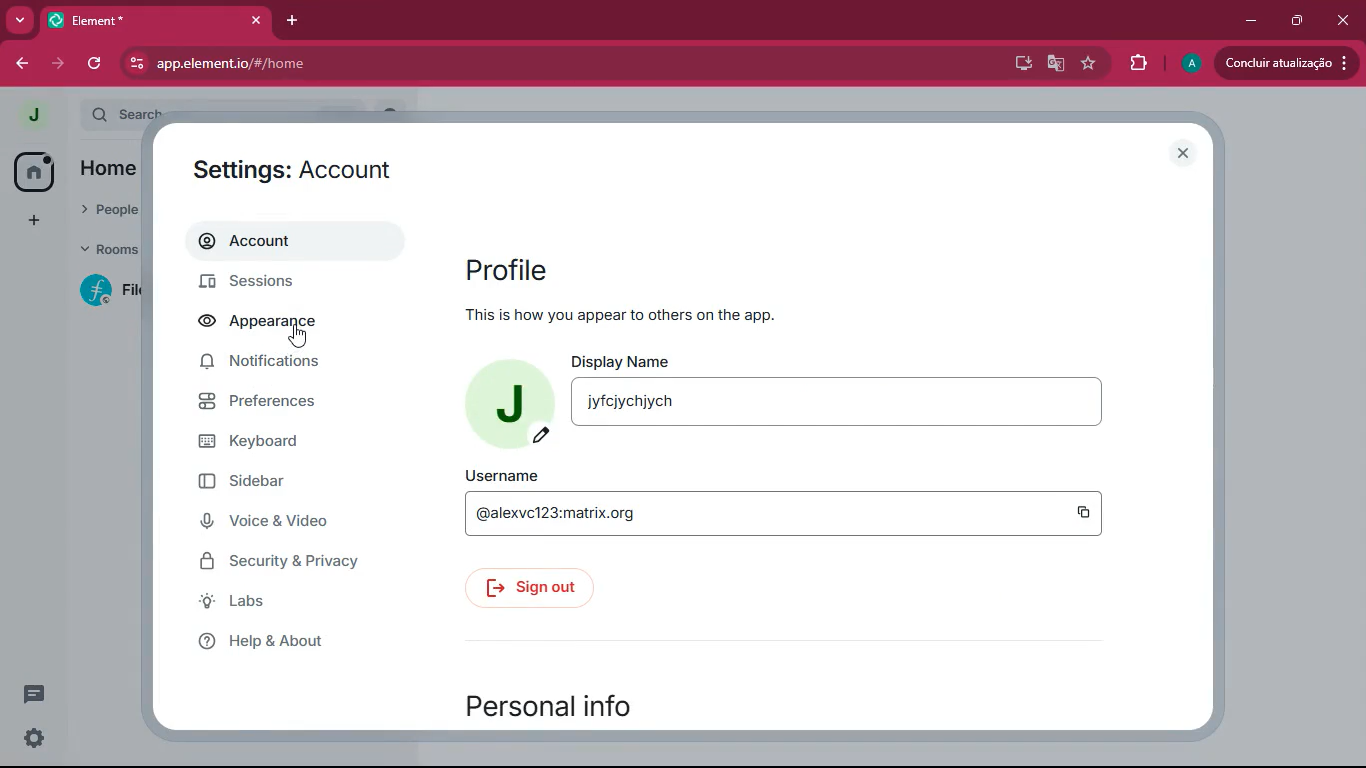  What do you see at coordinates (1093, 63) in the screenshot?
I see `favourite` at bounding box center [1093, 63].